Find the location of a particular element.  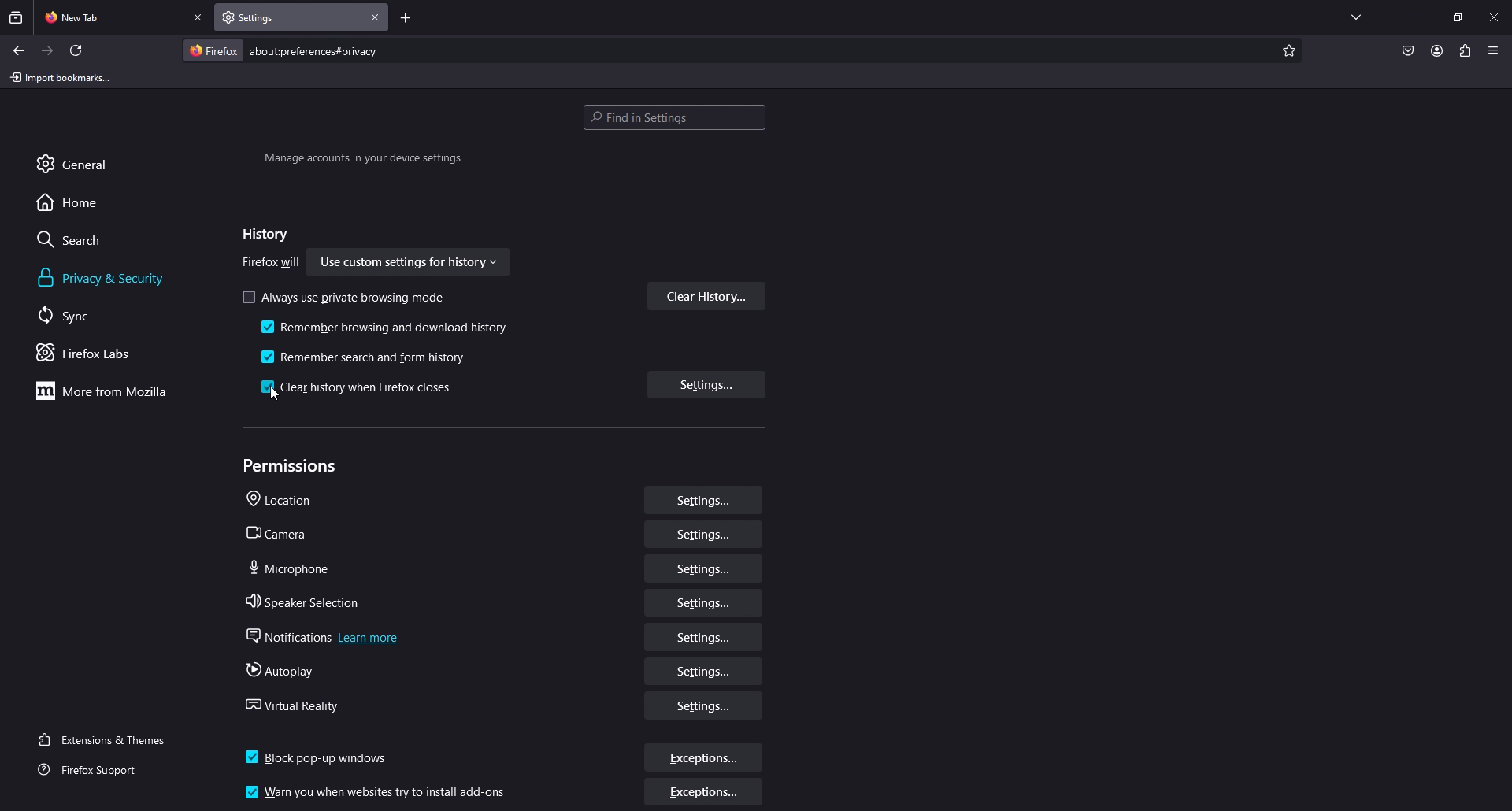

use custom setting for history is located at coordinates (410, 264).